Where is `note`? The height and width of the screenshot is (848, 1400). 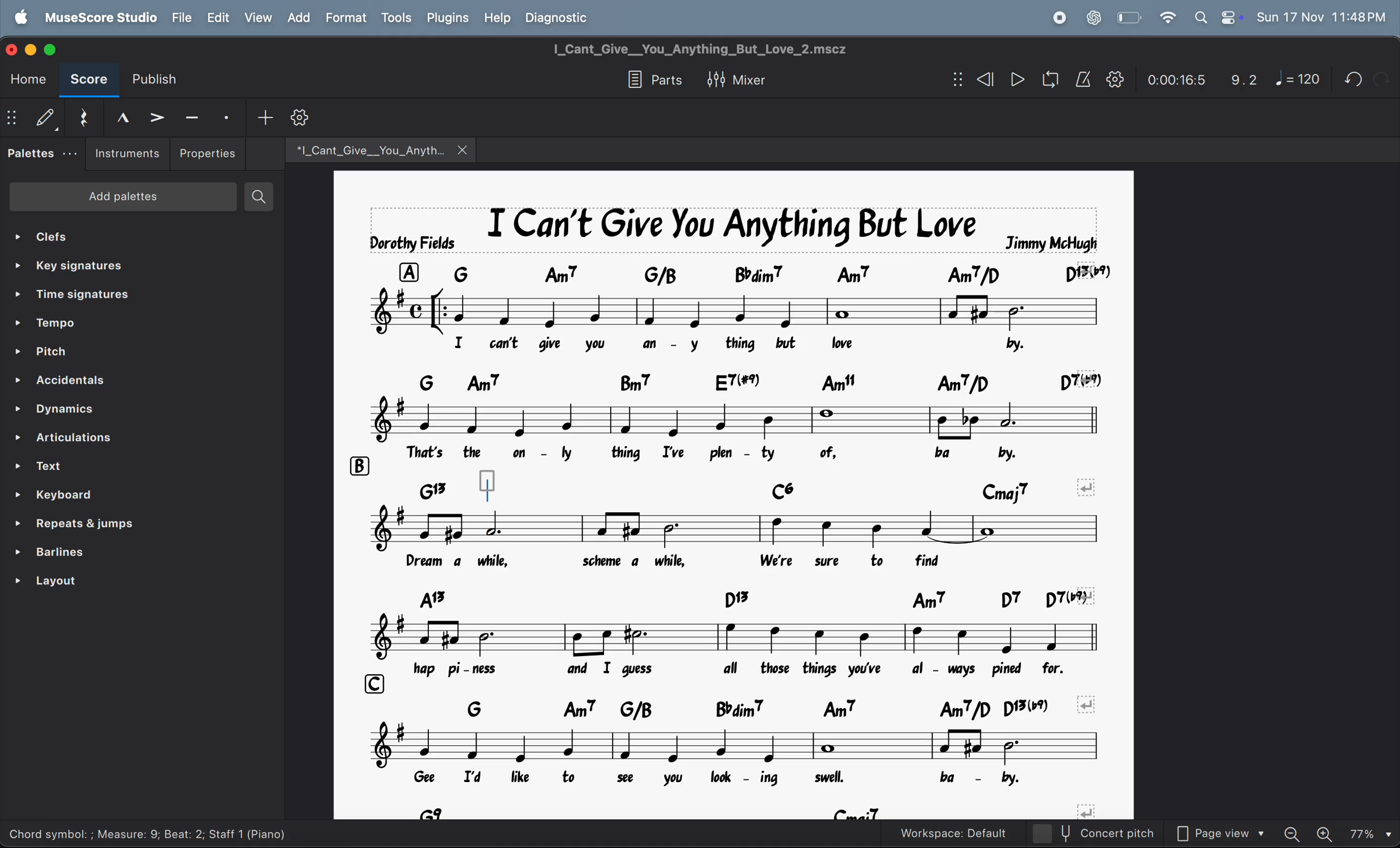 note is located at coordinates (735, 310).